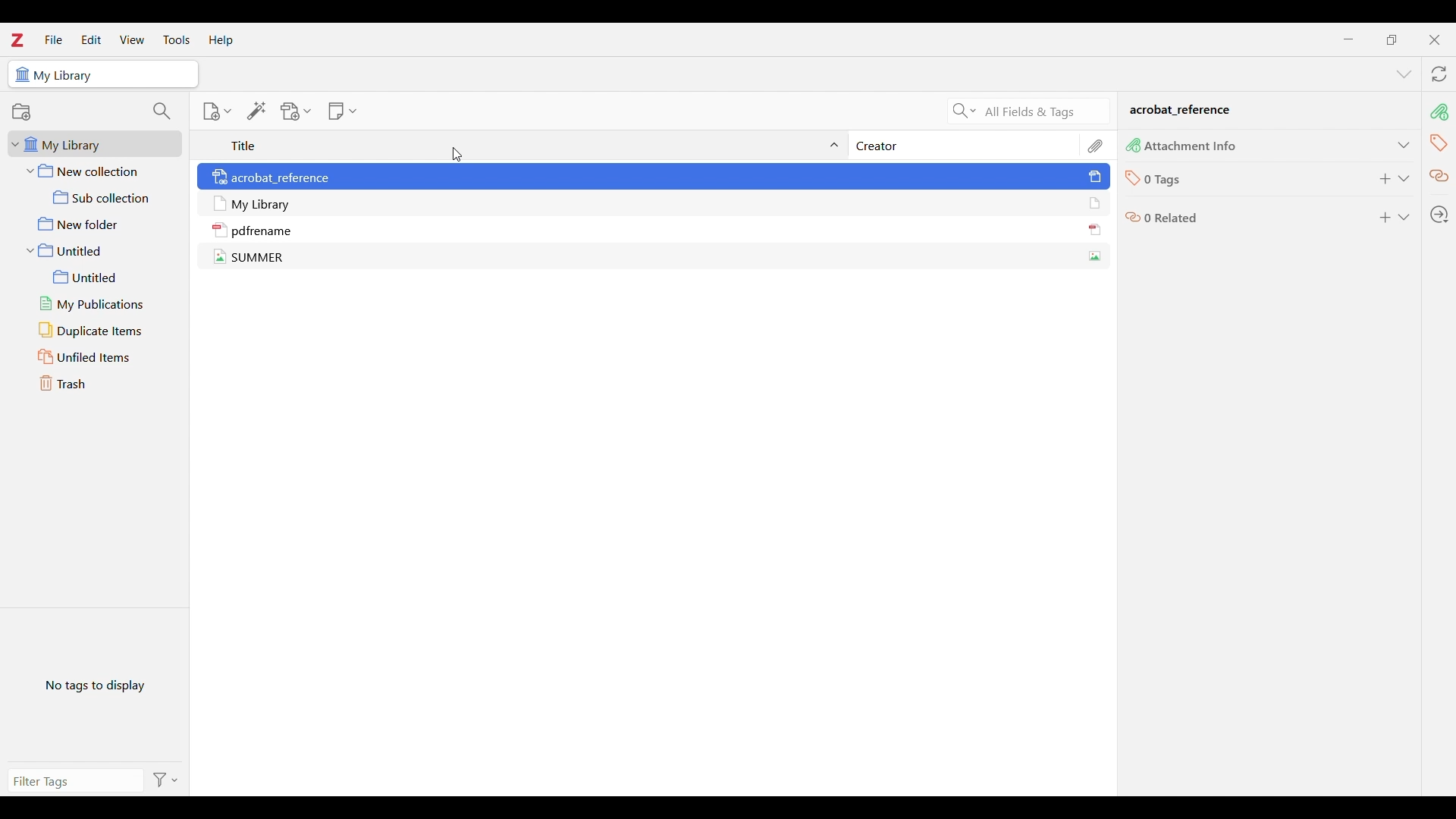 Image resolution: width=1456 pixels, height=819 pixels. Describe the element at coordinates (220, 203) in the screenshot. I see `icon` at that location.